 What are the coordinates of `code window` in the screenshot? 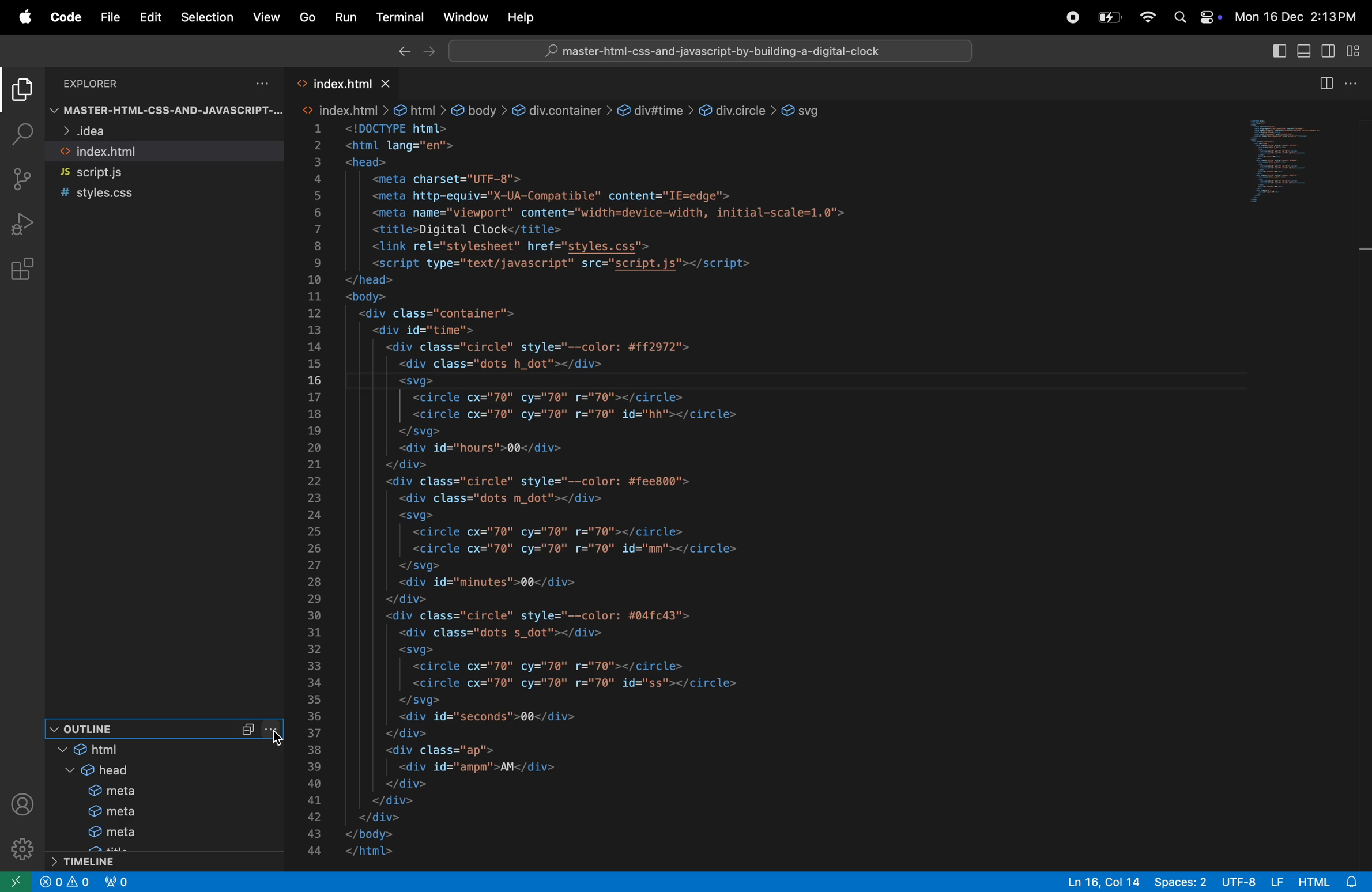 It's located at (1298, 156).